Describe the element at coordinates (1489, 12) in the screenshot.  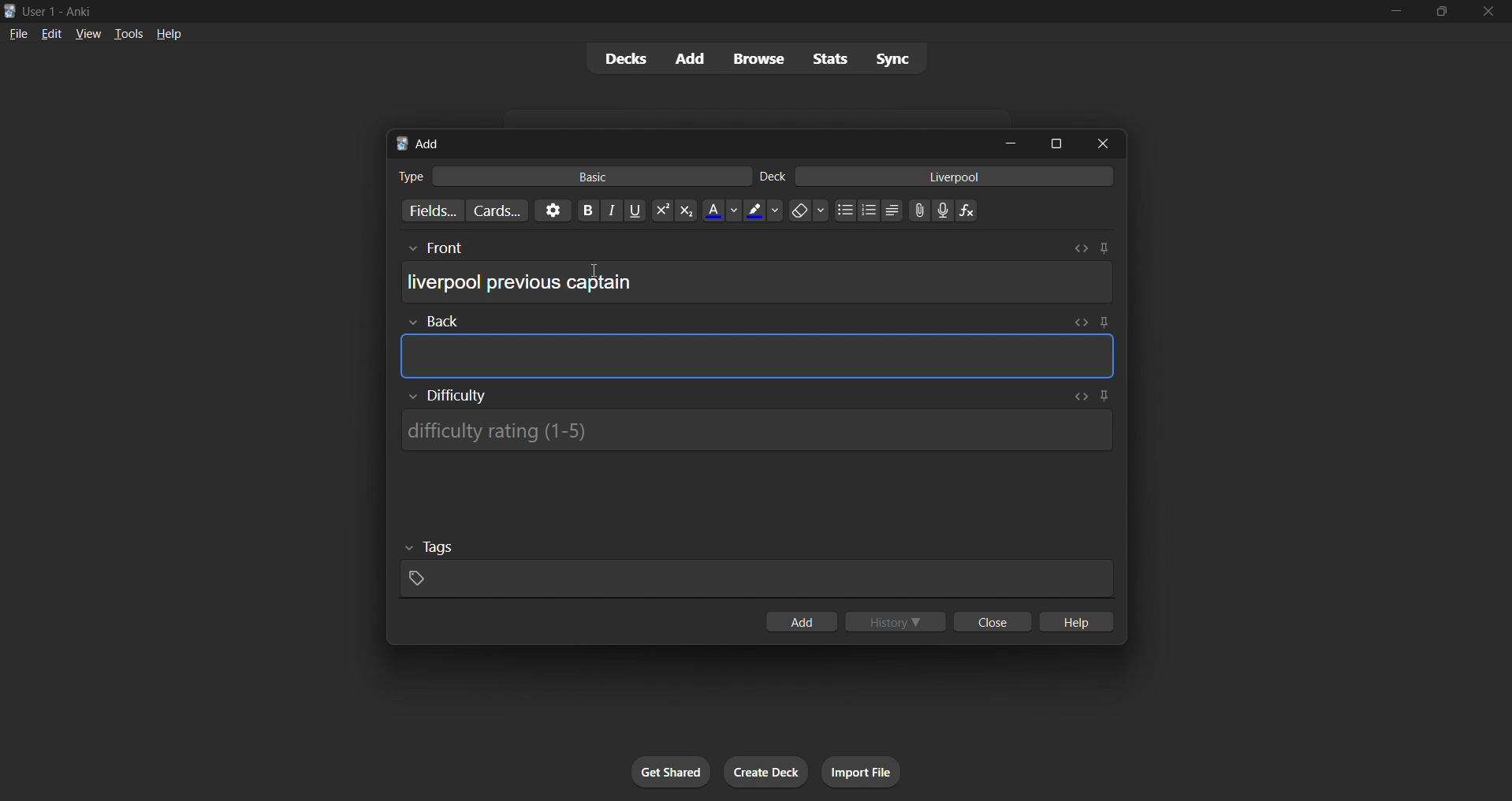
I see `close` at that location.